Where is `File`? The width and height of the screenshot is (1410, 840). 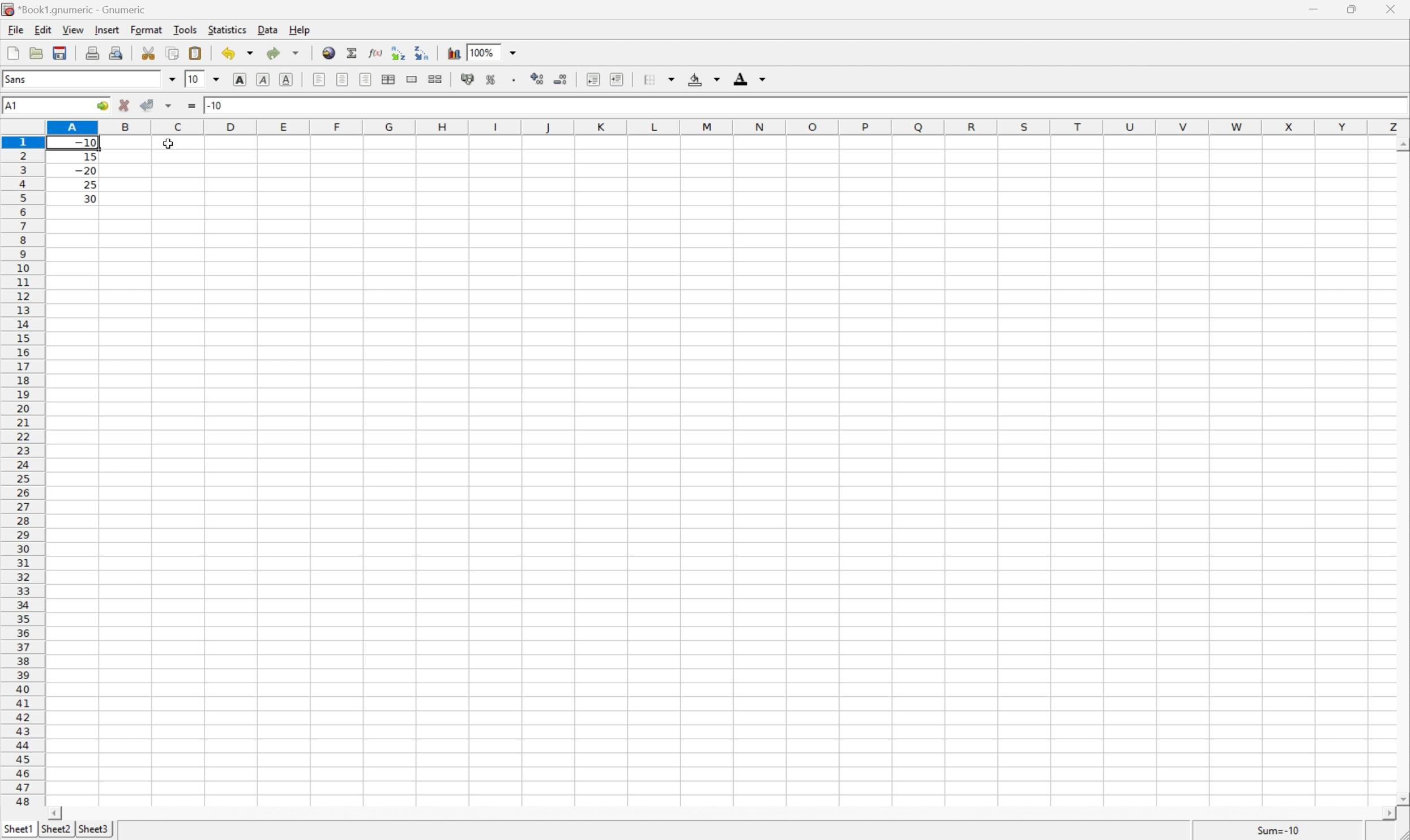 File is located at coordinates (13, 54).